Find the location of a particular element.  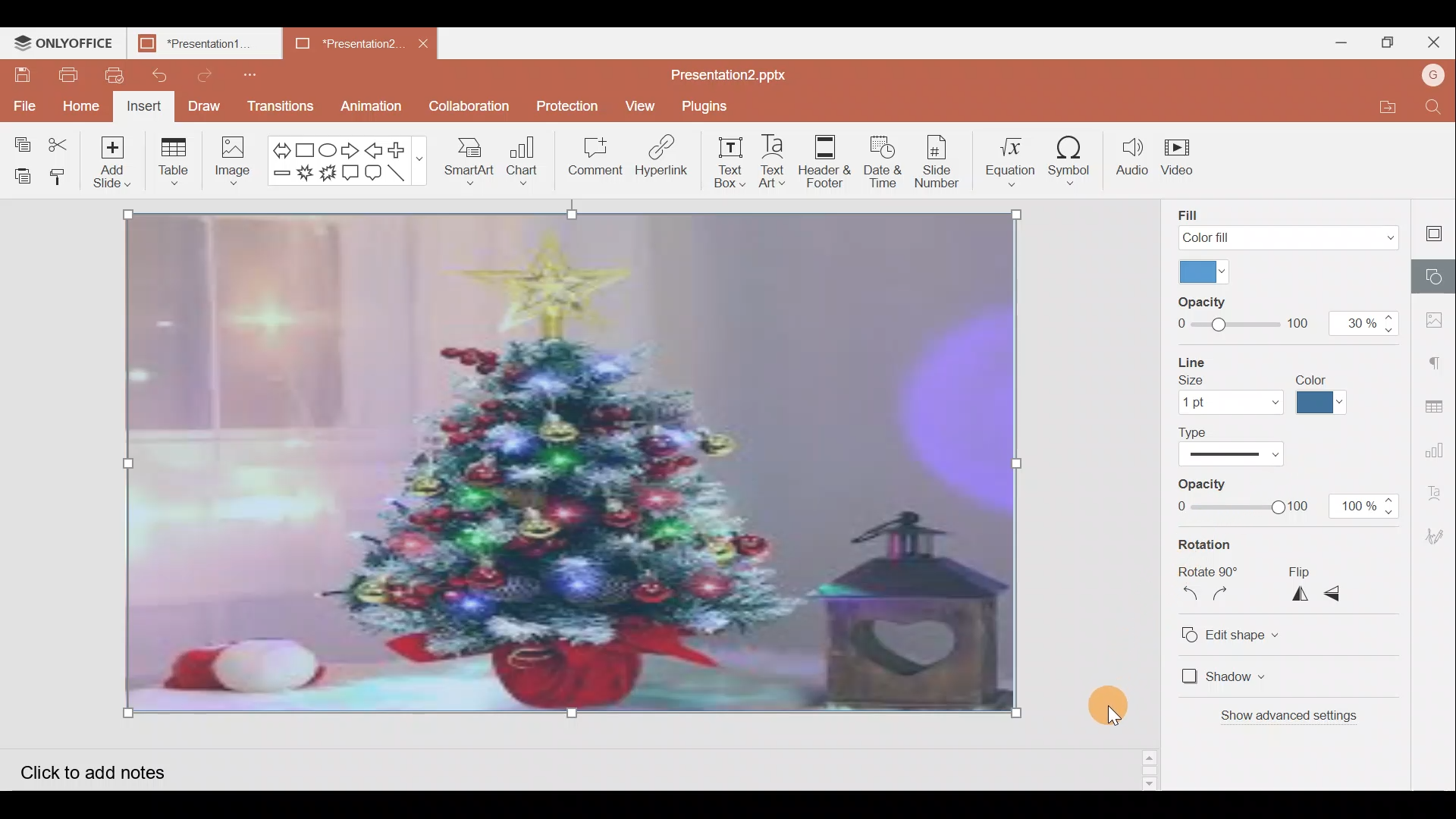

Transitions is located at coordinates (279, 106).